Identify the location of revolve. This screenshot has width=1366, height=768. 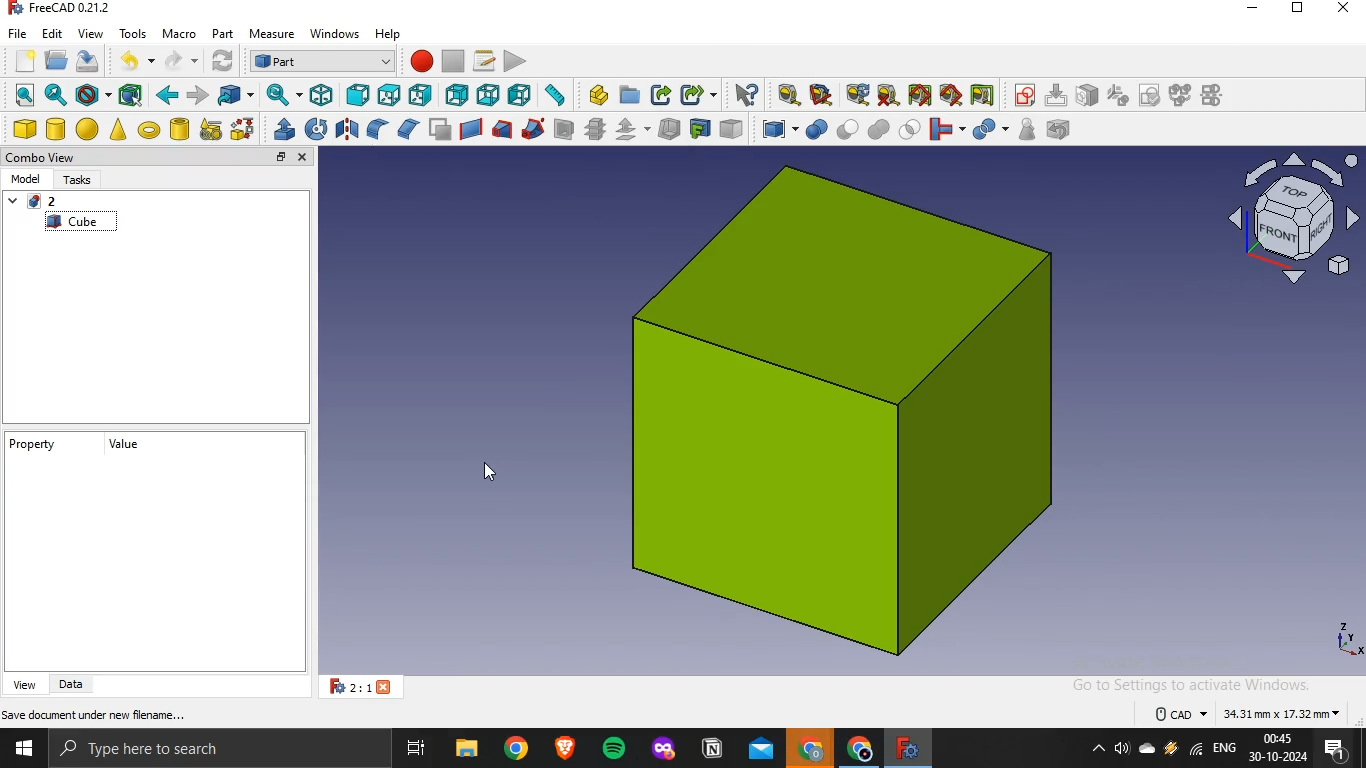
(316, 129).